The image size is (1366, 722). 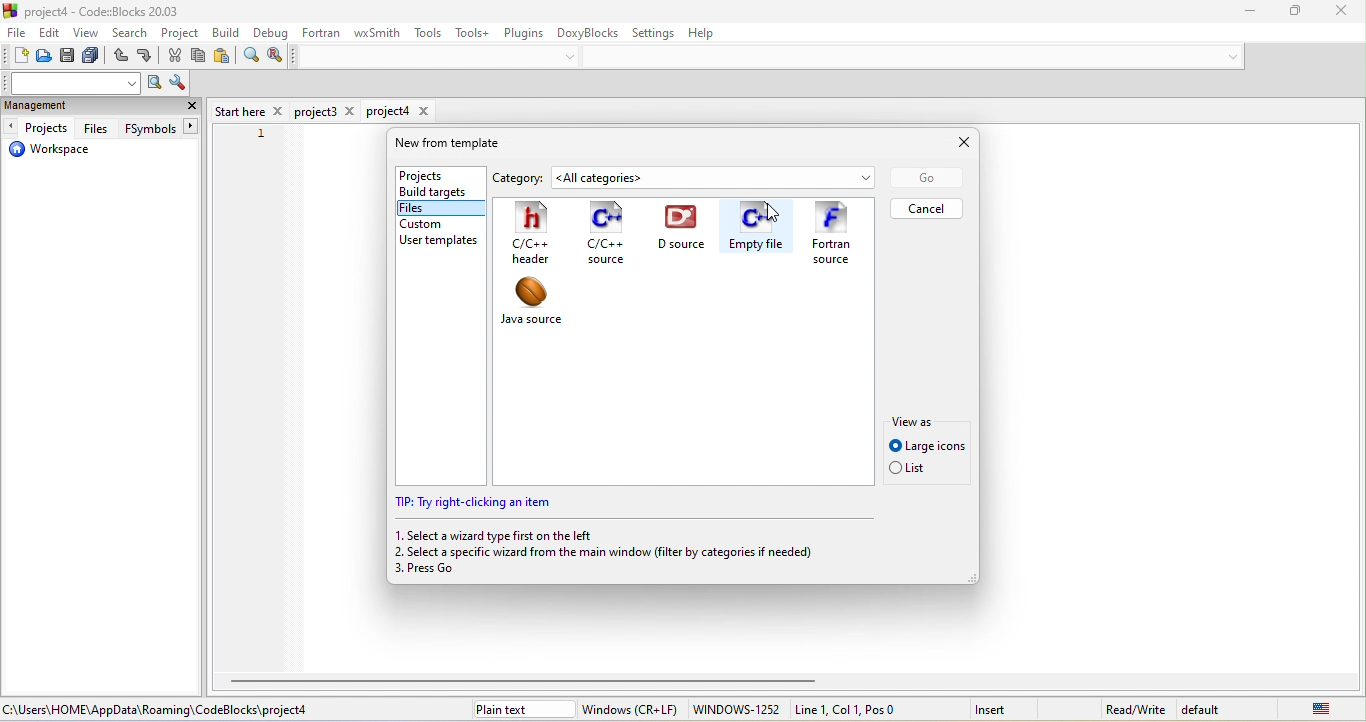 What do you see at coordinates (438, 572) in the screenshot?
I see `3. press go` at bounding box center [438, 572].